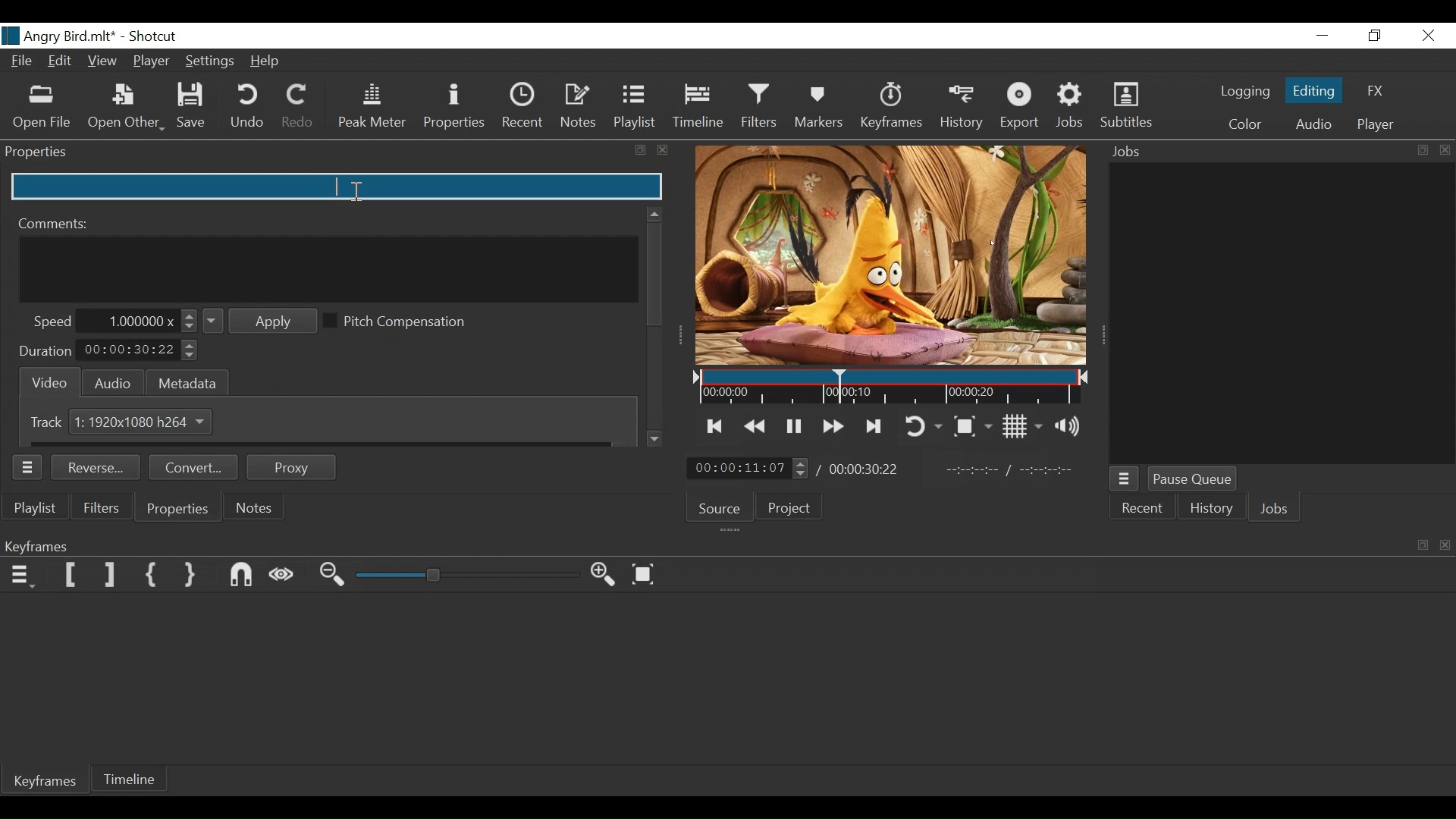 The width and height of the screenshot is (1456, 819). I want to click on Keyframe menu, so click(24, 576).